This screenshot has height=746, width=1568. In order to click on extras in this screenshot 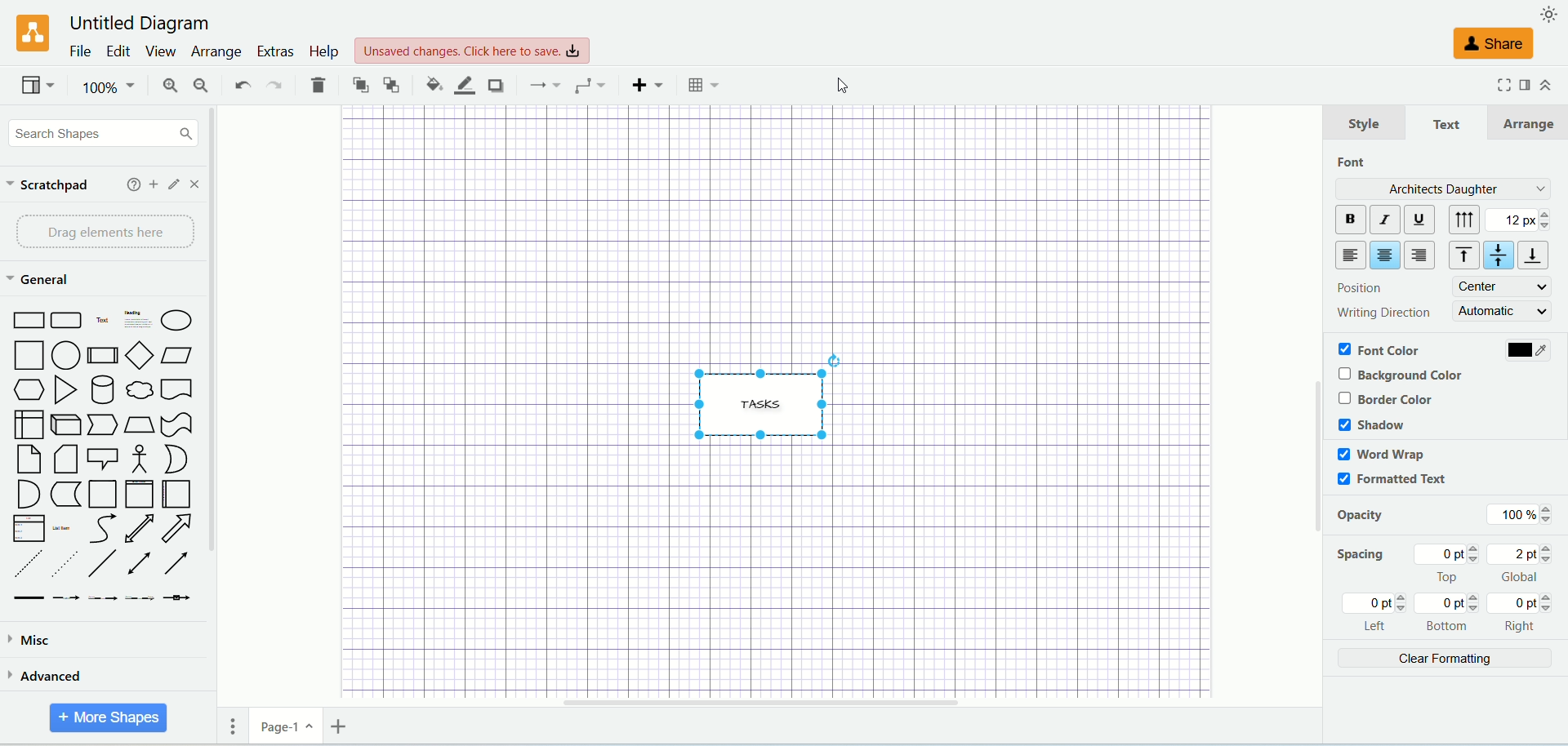, I will do `click(274, 51)`.